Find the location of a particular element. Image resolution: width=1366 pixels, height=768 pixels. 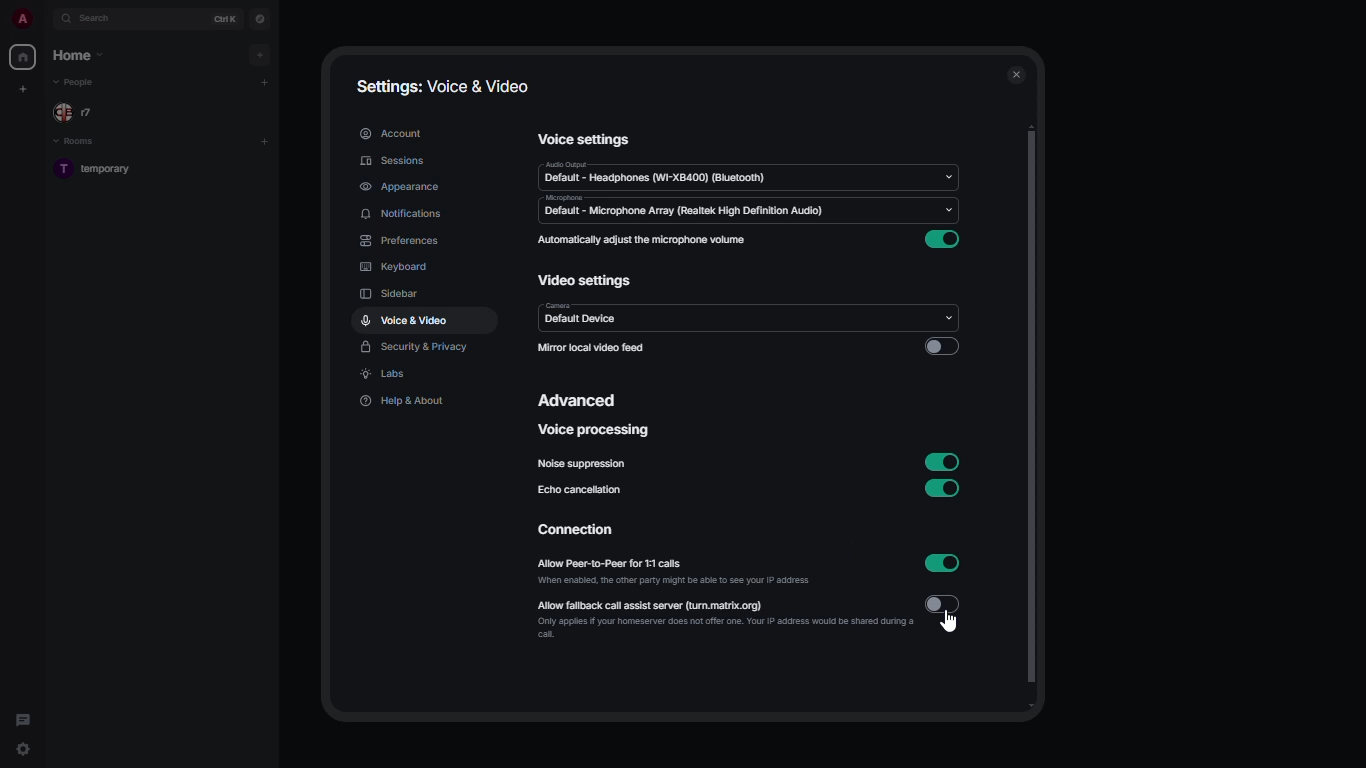

voice settings is located at coordinates (583, 138).